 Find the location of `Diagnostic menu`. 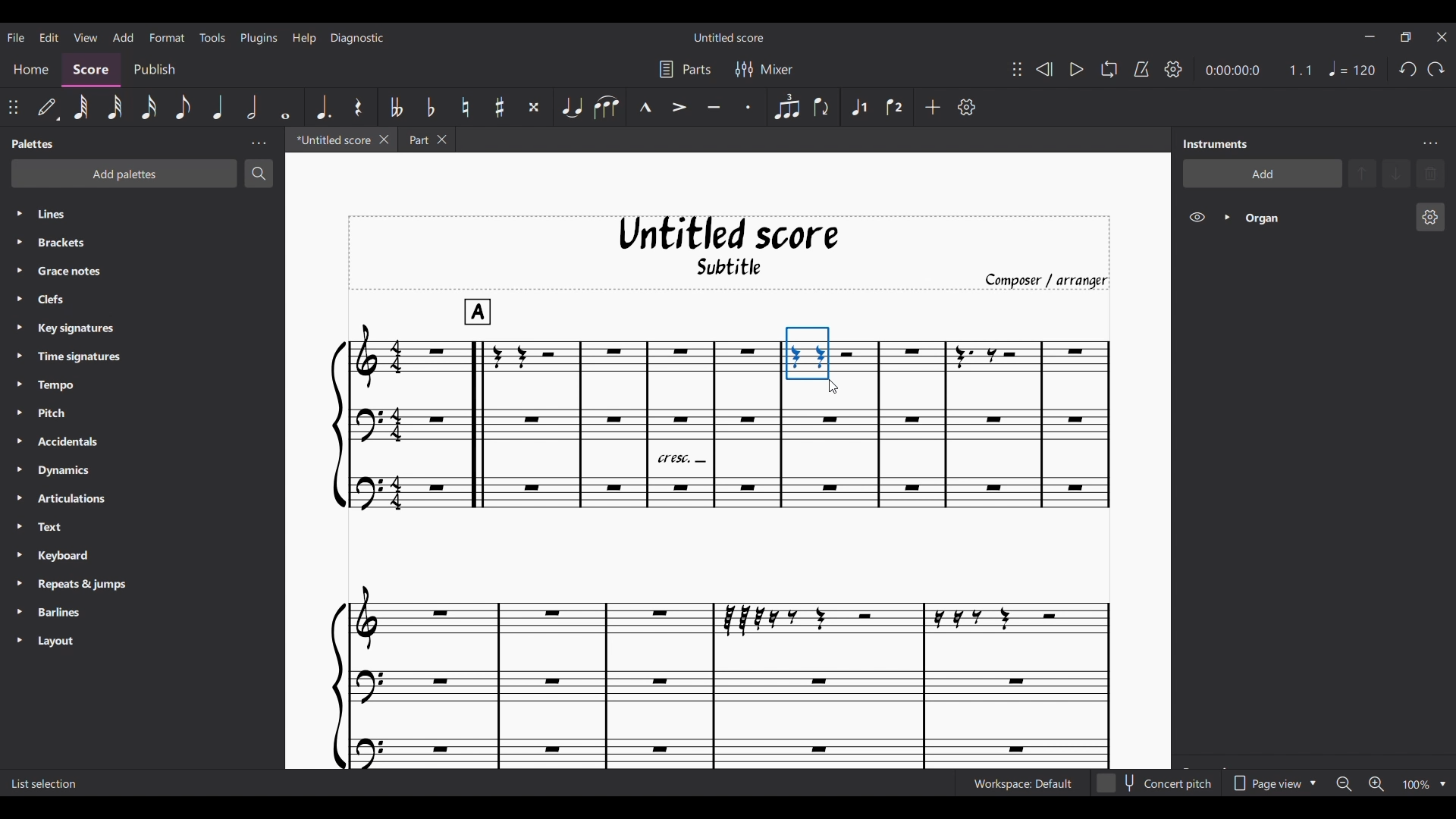

Diagnostic menu is located at coordinates (358, 37).